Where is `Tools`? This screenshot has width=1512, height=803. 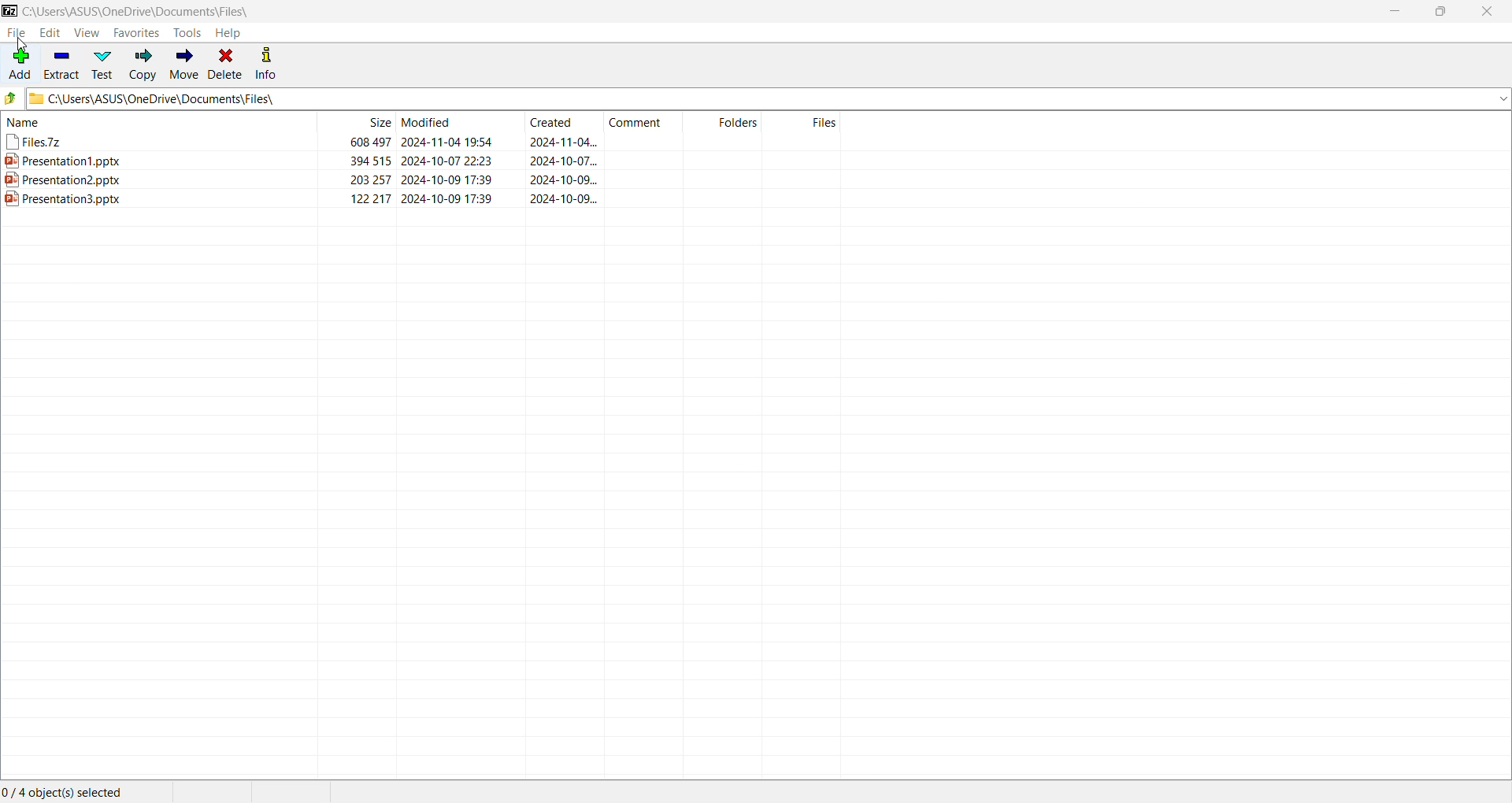 Tools is located at coordinates (190, 34).